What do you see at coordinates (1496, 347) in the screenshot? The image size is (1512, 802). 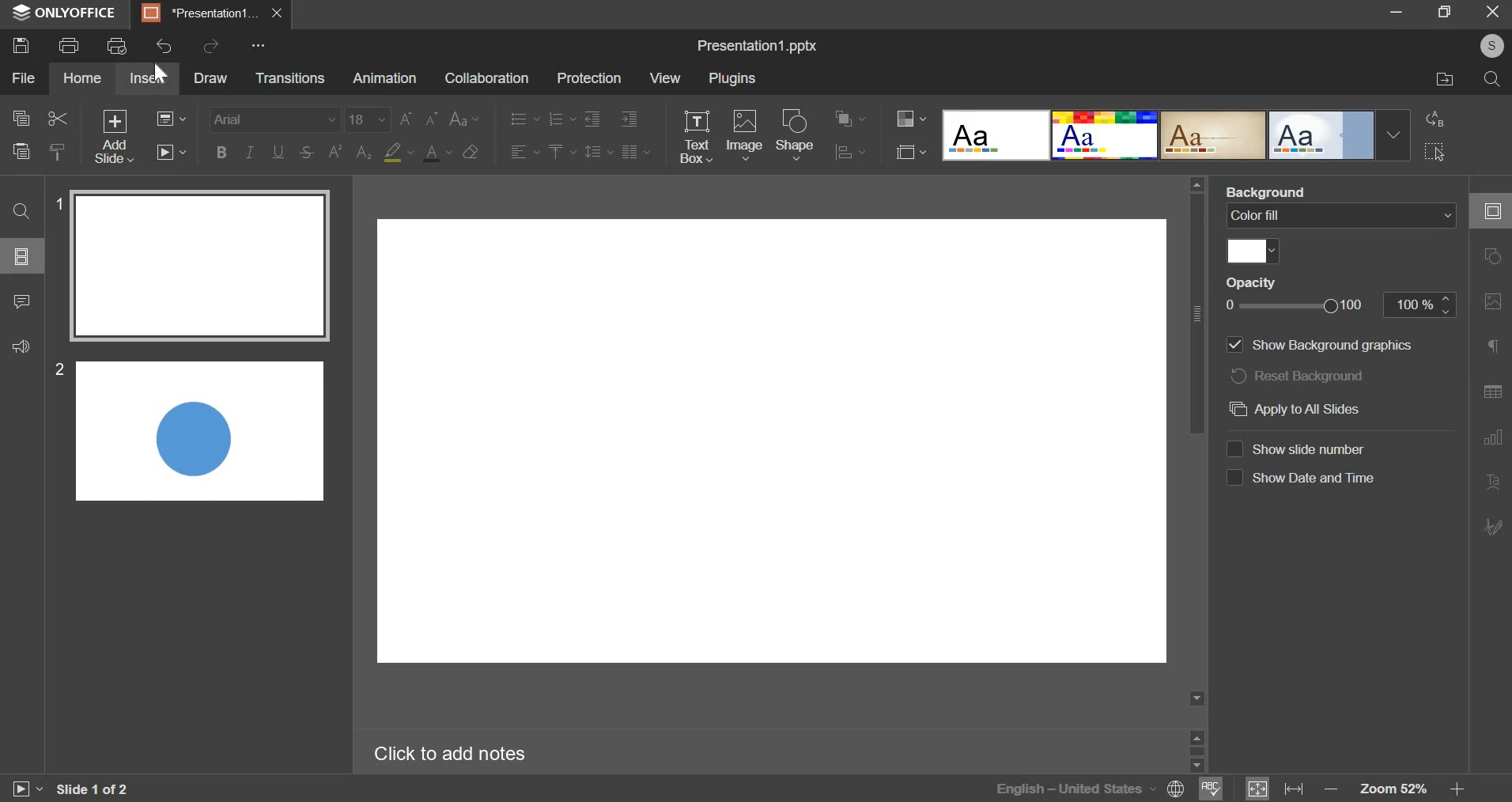 I see `Paragraph settings` at bounding box center [1496, 347].